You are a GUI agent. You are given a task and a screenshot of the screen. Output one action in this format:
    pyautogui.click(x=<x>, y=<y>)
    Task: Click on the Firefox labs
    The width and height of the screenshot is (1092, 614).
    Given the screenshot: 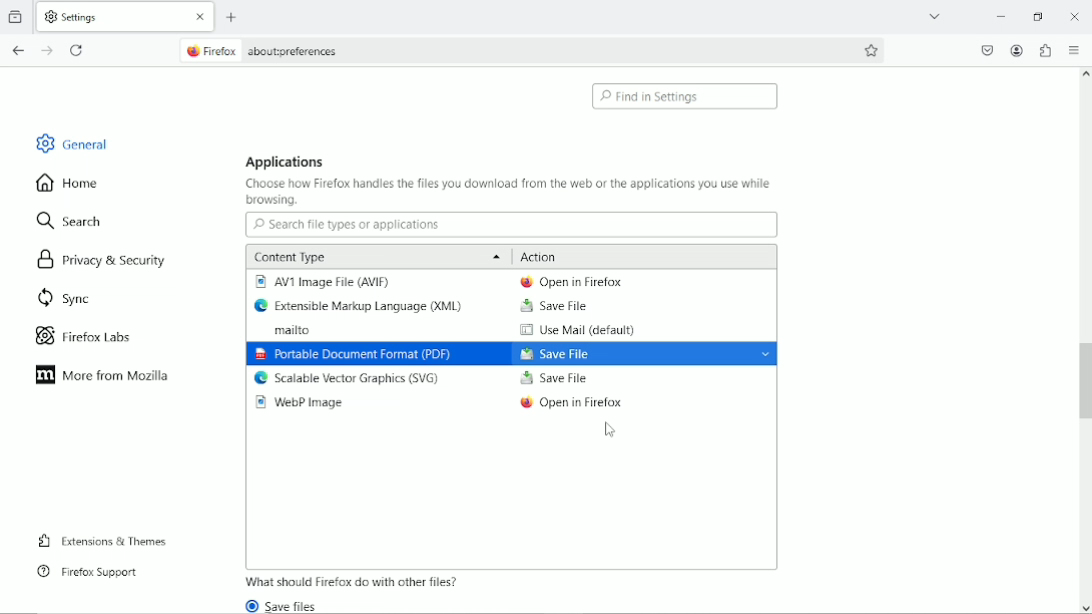 What is the action you would take?
    pyautogui.click(x=92, y=335)
    